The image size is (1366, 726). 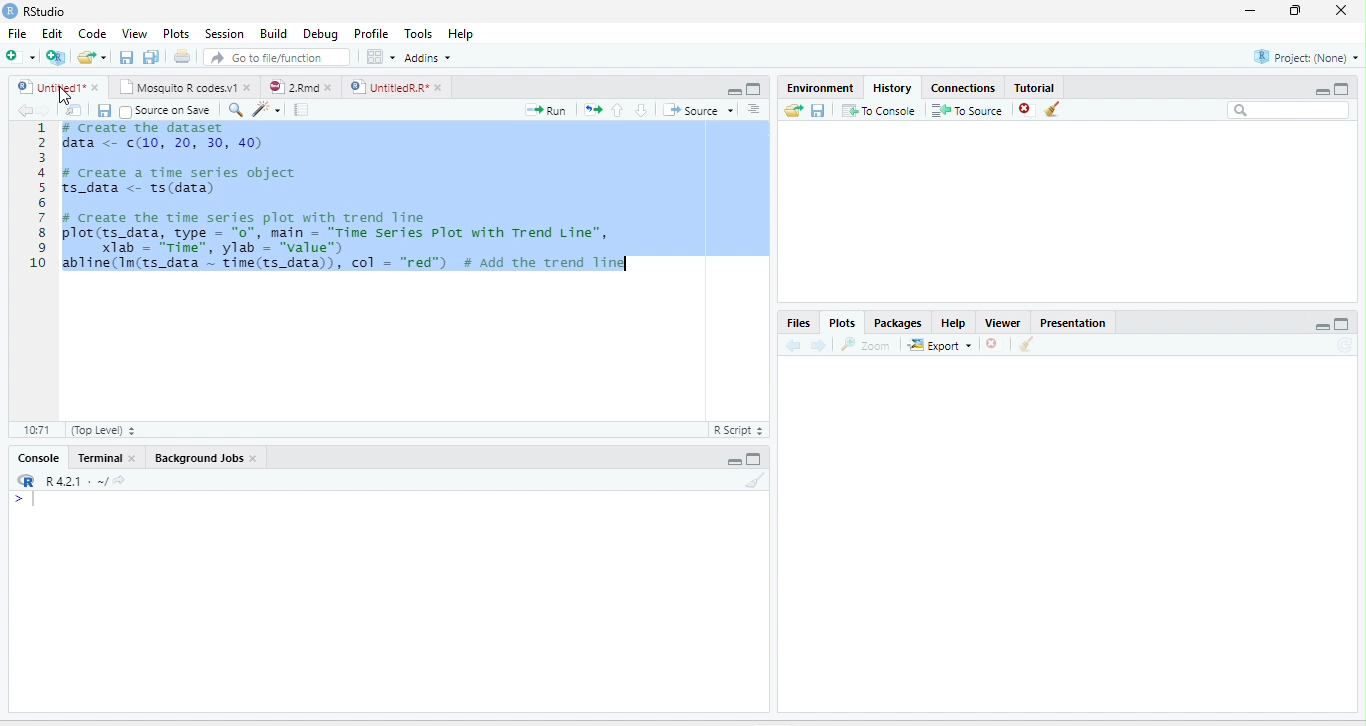 What do you see at coordinates (27, 480) in the screenshot?
I see `R` at bounding box center [27, 480].